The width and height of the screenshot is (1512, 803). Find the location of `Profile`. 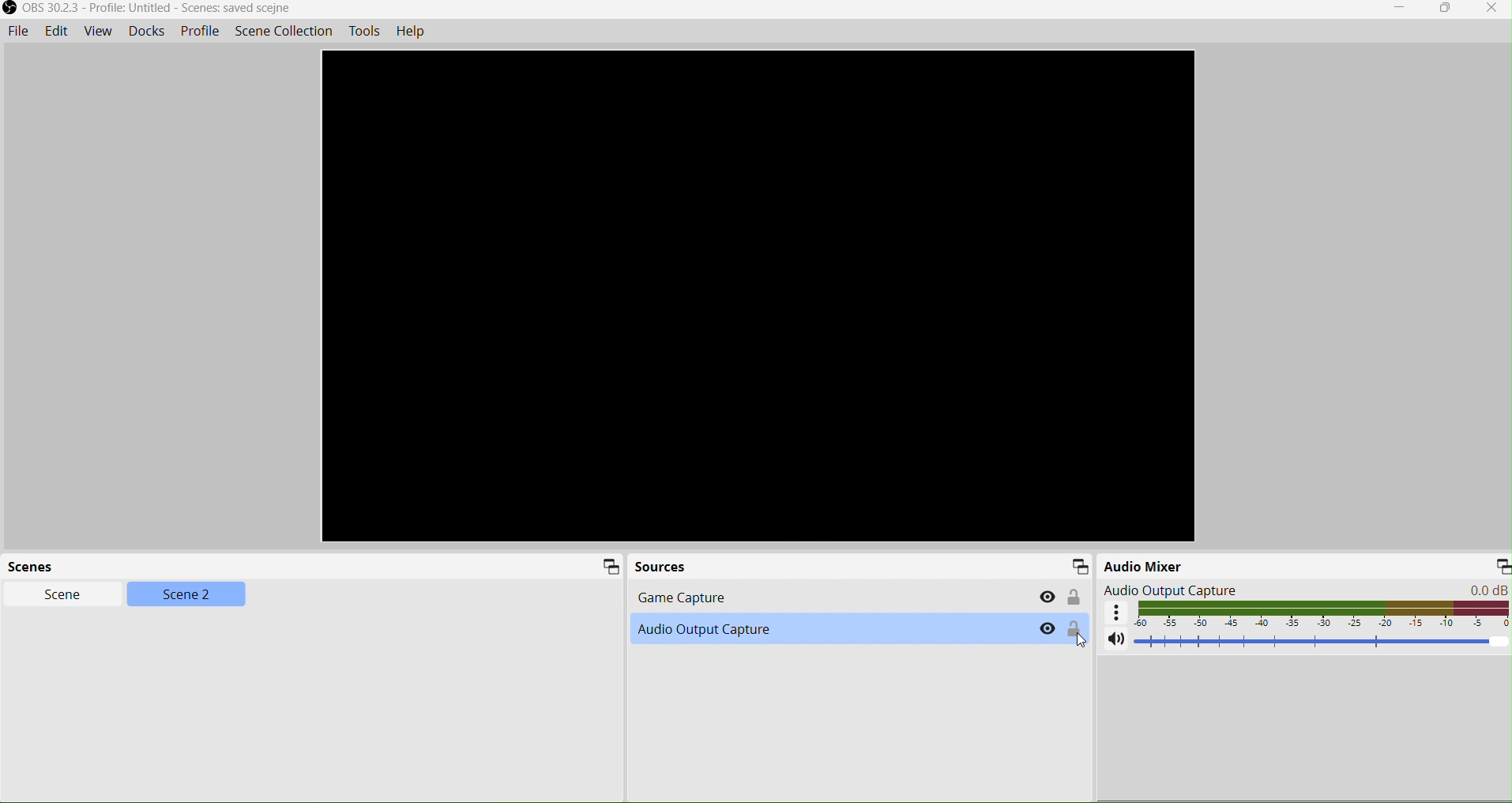

Profile is located at coordinates (198, 33).